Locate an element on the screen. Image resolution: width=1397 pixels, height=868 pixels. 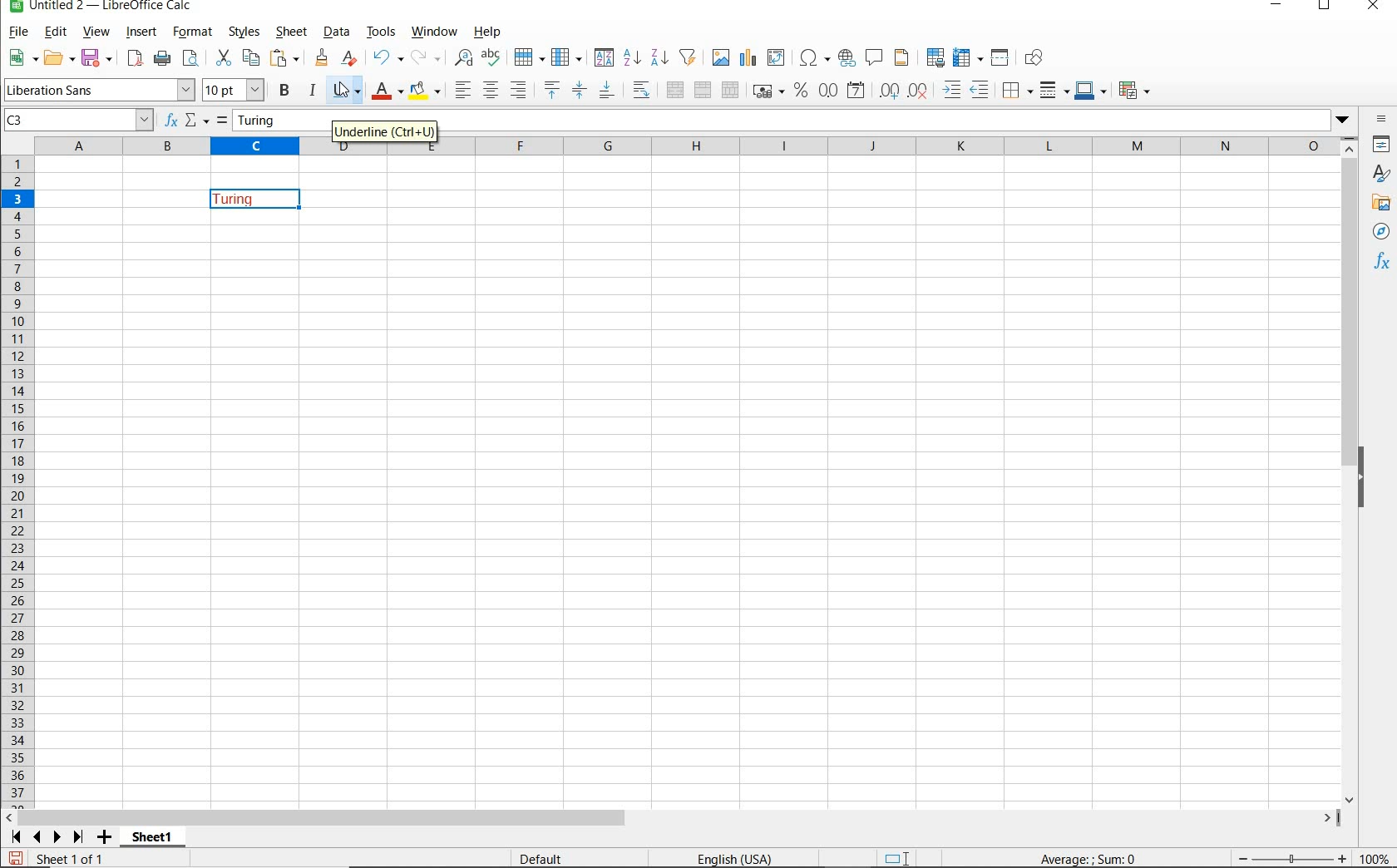
ALIGN BOTTOM is located at coordinates (608, 91).